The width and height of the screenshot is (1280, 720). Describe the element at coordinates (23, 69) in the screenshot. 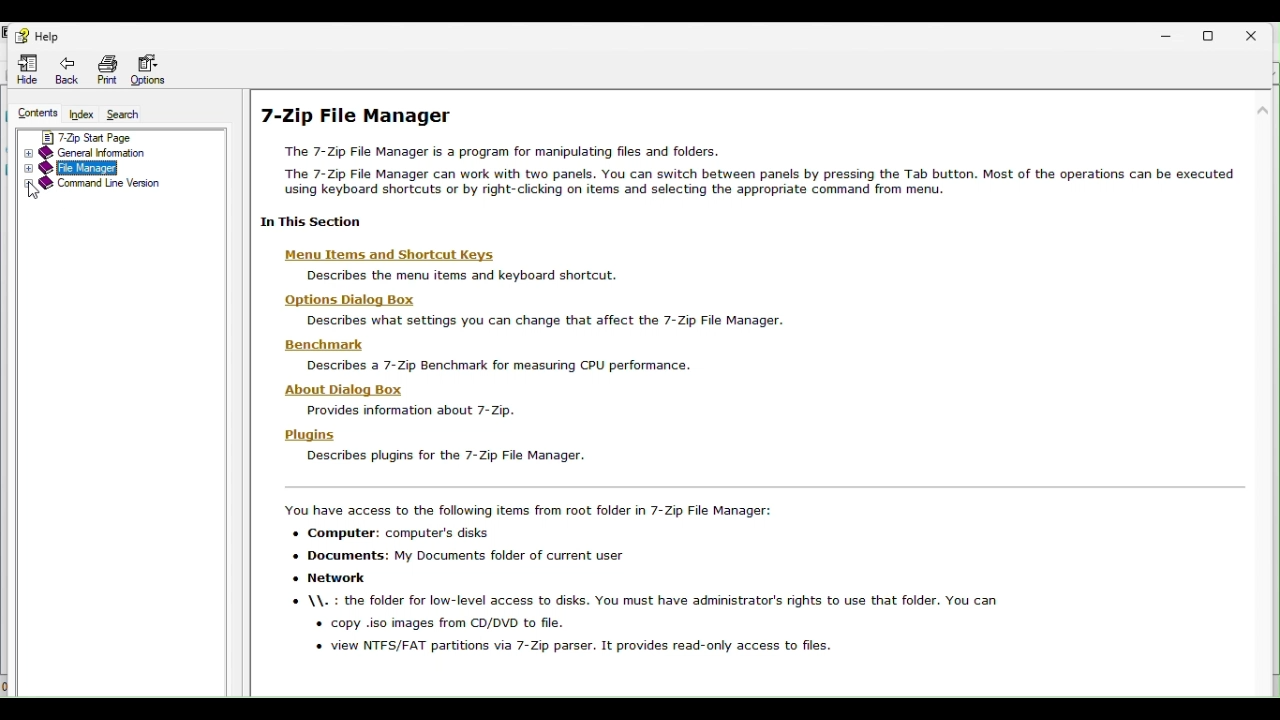

I see `Hide` at that location.